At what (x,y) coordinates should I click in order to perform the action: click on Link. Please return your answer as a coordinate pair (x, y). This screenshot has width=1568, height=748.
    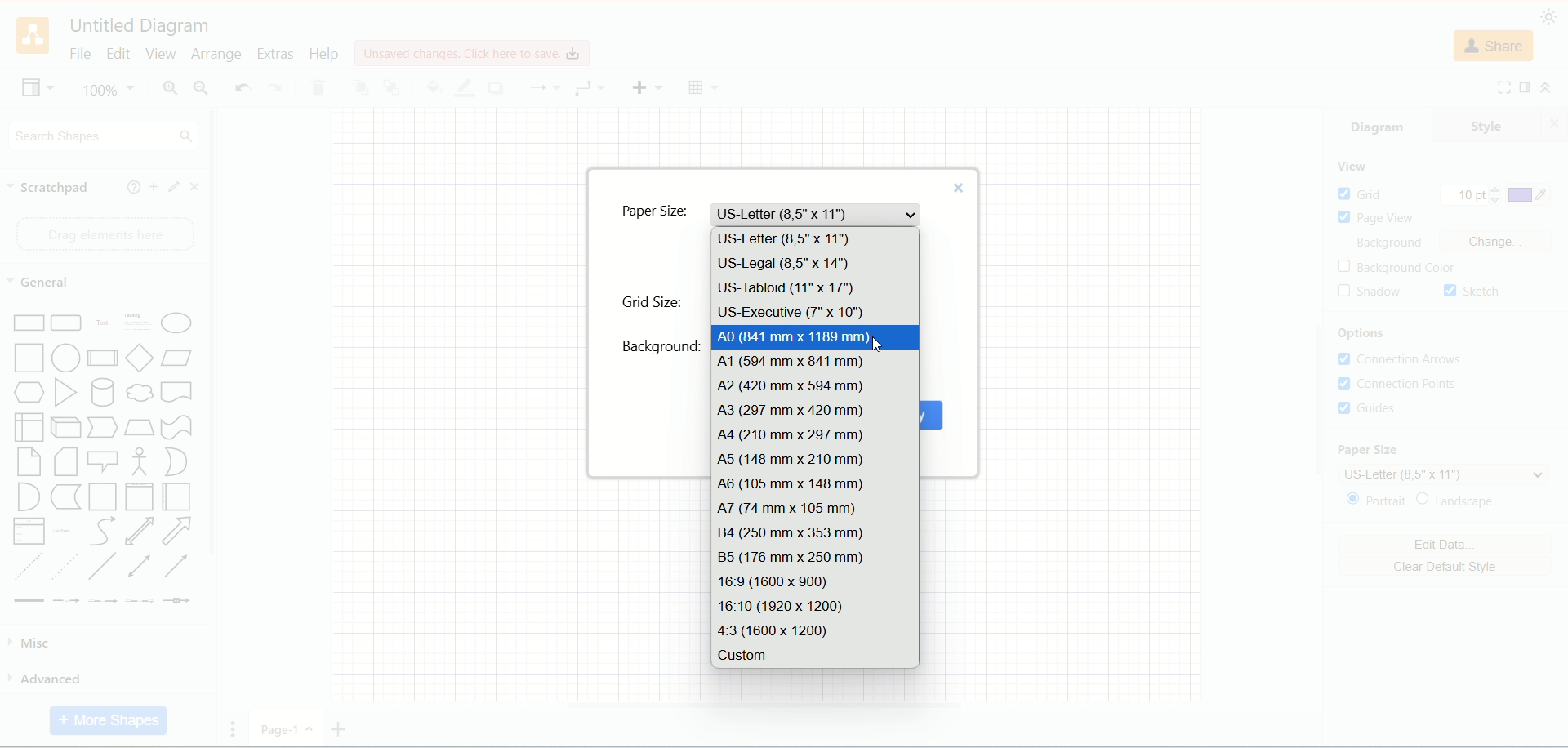
    Looking at the image, I should click on (29, 601).